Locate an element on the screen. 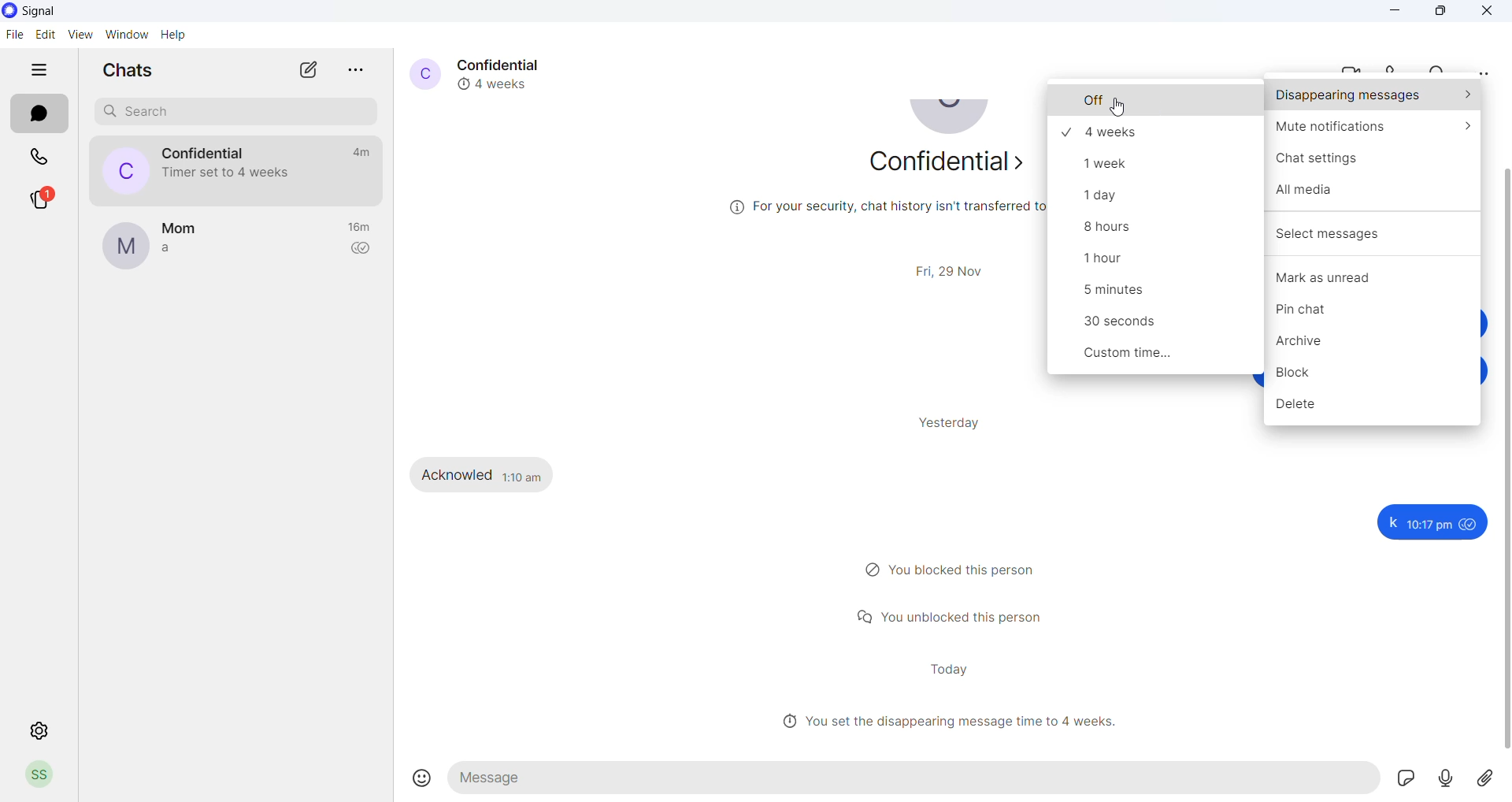 The height and width of the screenshot is (802, 1512). last message timeframe is located at coordinates (362, 228).